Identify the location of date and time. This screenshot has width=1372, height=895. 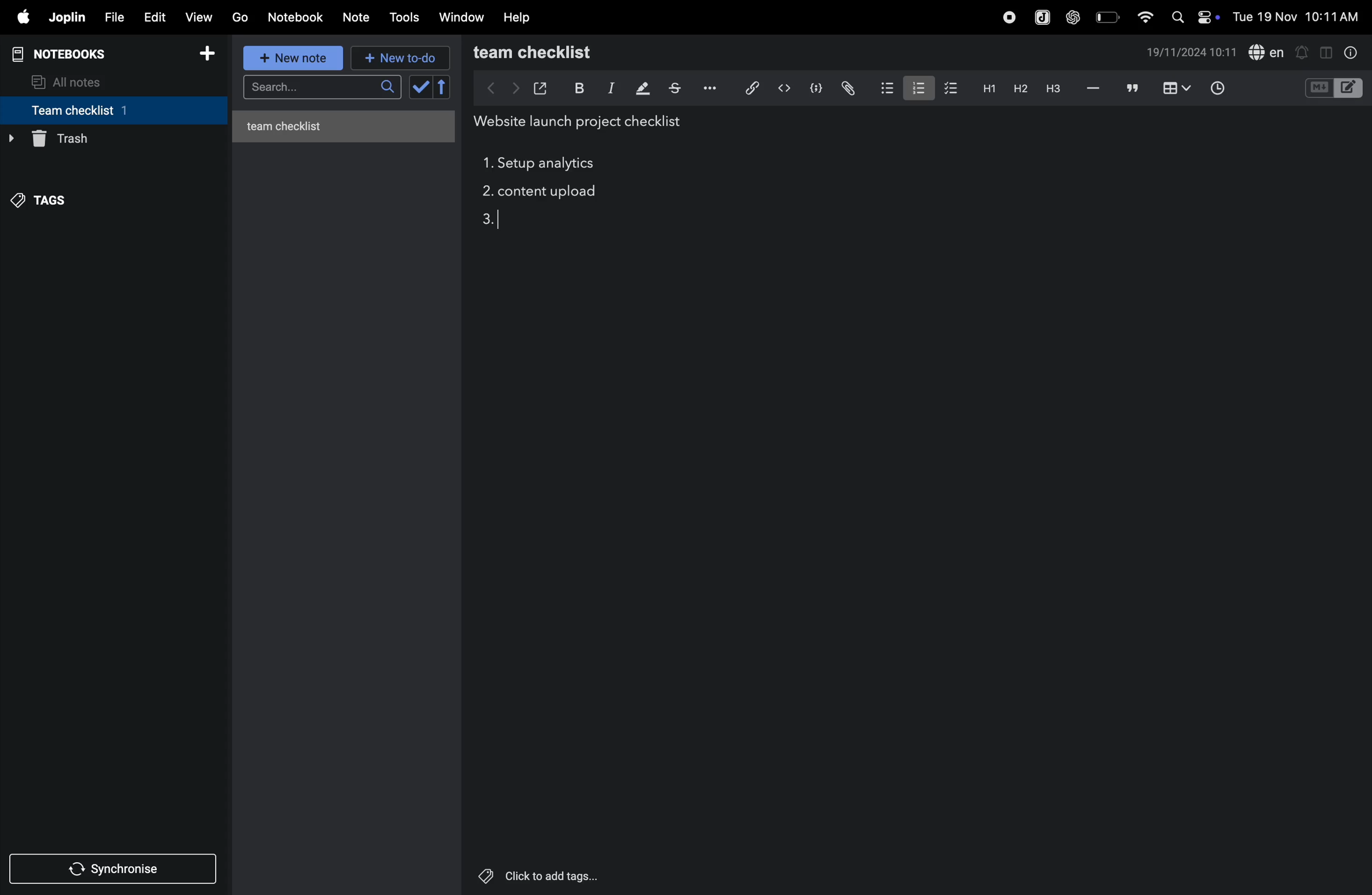
(1192, 54).